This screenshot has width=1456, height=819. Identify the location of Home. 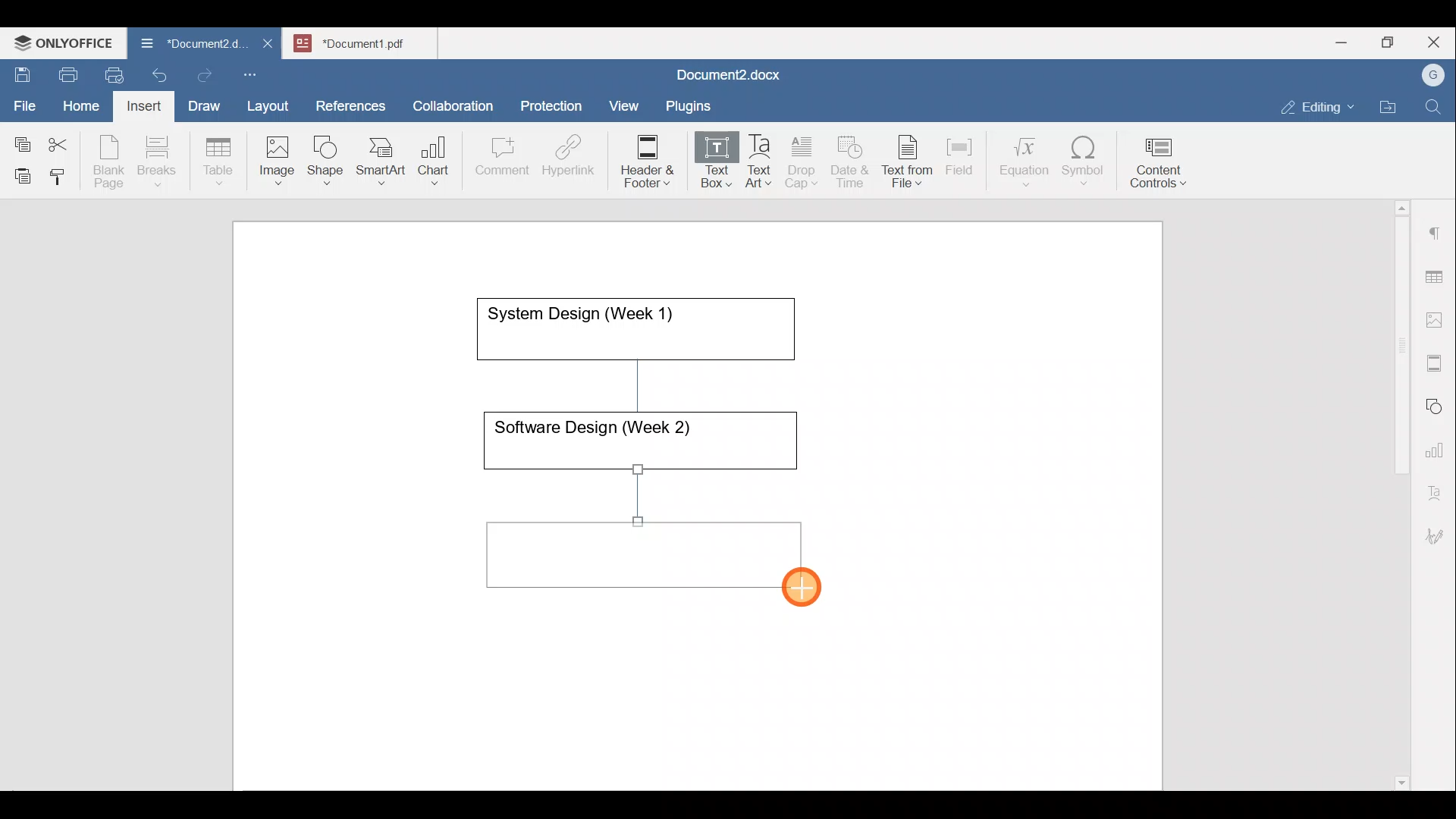
(82, 105).